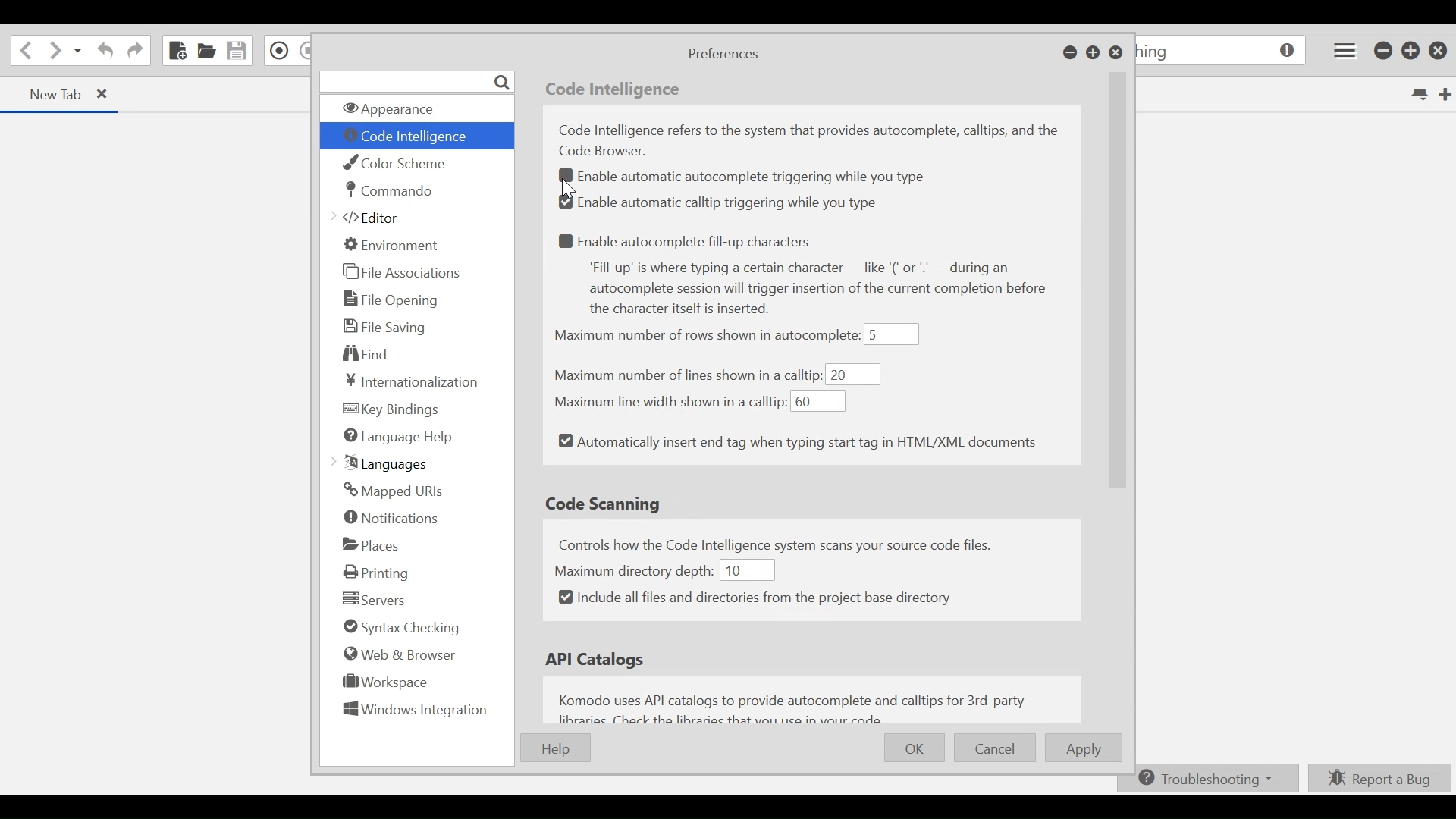 This screenshot has height=819, width=1456. Describe the element at coordinates (1086, 748) in the screenshot. I see `Apply` at that location.